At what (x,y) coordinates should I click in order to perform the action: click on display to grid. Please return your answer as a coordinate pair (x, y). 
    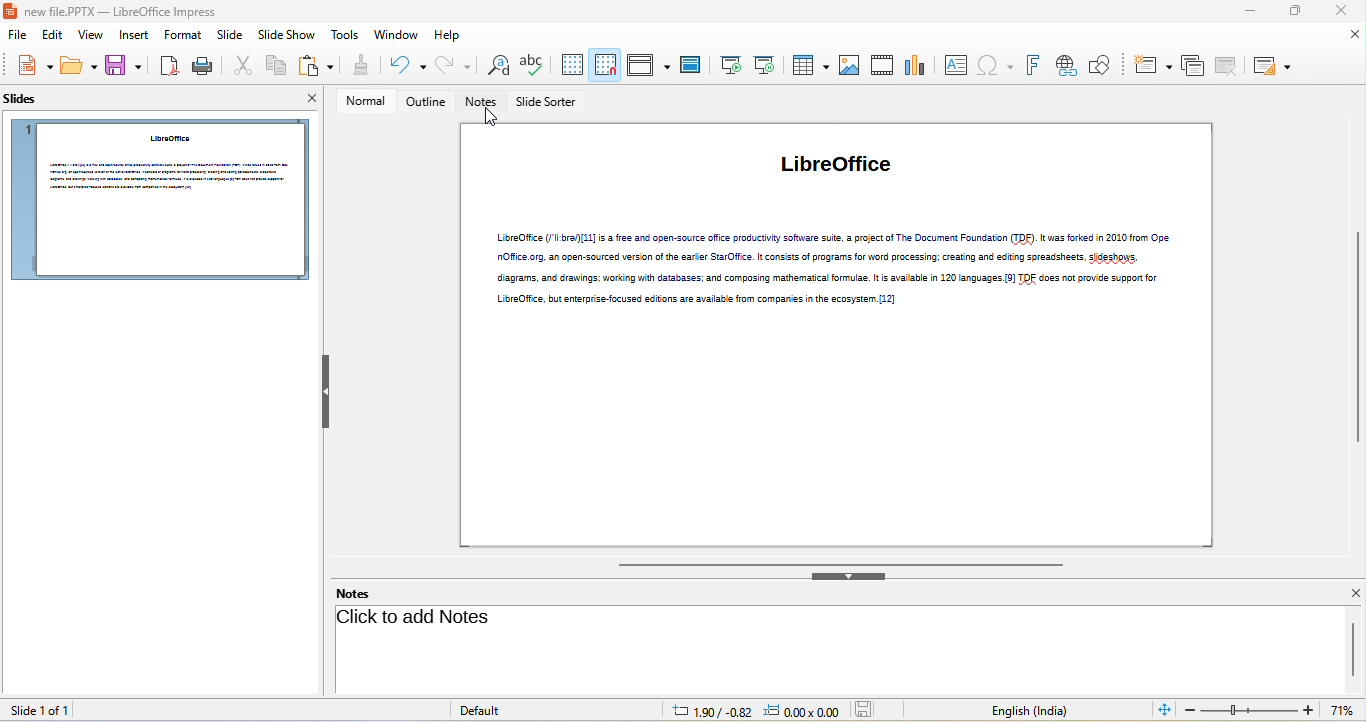
    Looking at the image, I should click on (571, 65).